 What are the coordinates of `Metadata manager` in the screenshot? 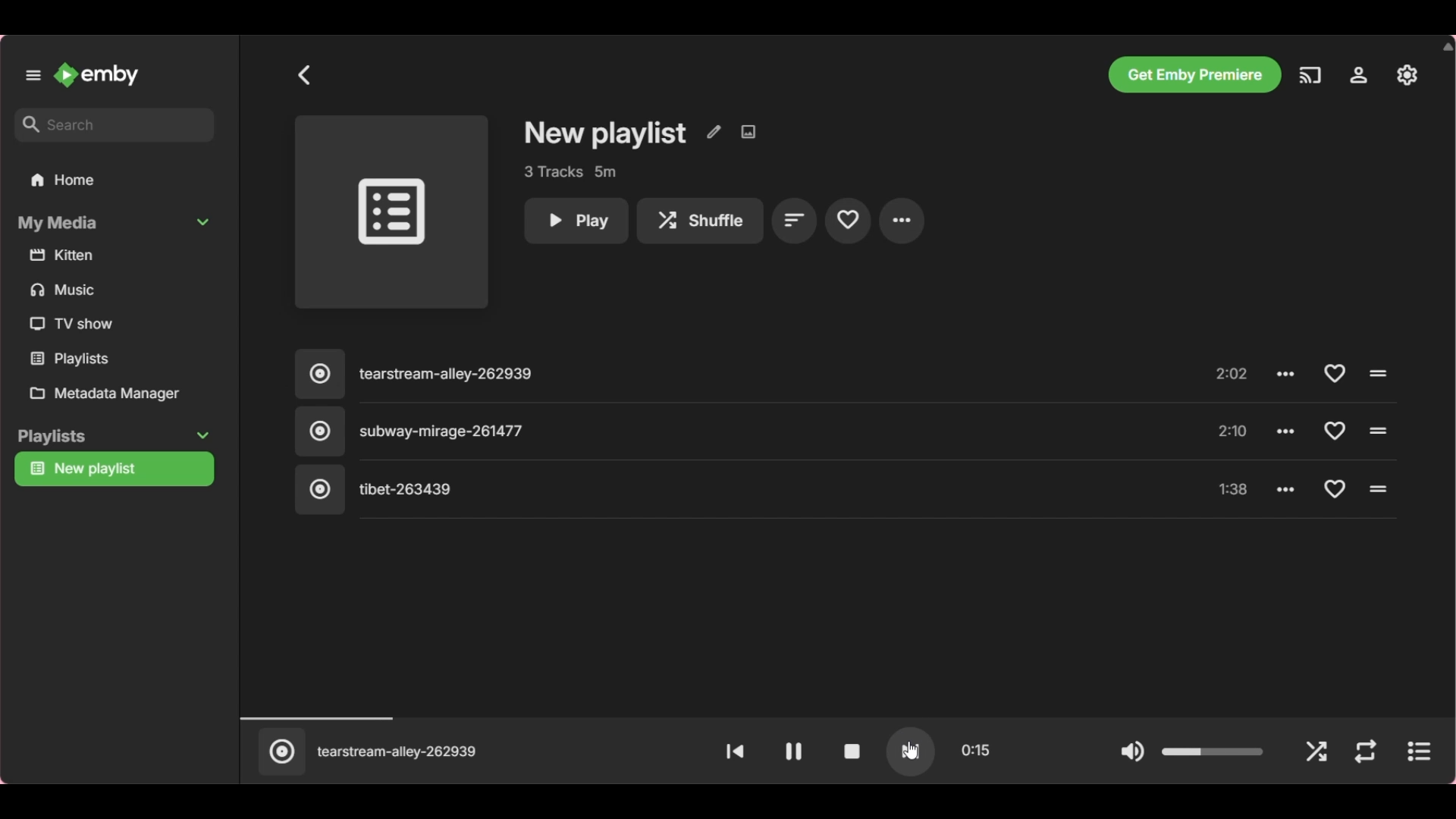 It's located at (119, 394).